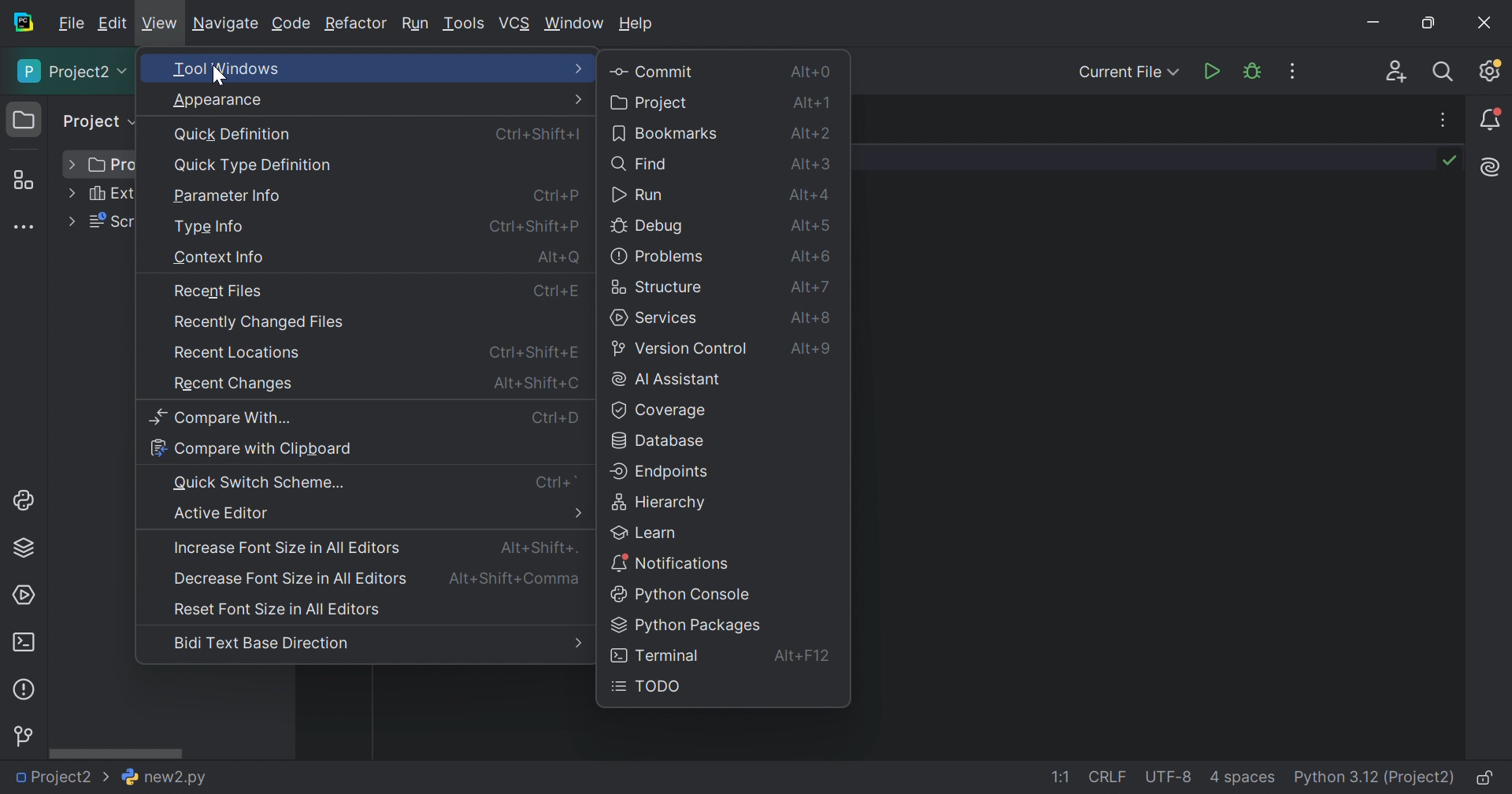  Describe the element at coordinates (22, 180) in the screenshot. I see `Structure` at that location.